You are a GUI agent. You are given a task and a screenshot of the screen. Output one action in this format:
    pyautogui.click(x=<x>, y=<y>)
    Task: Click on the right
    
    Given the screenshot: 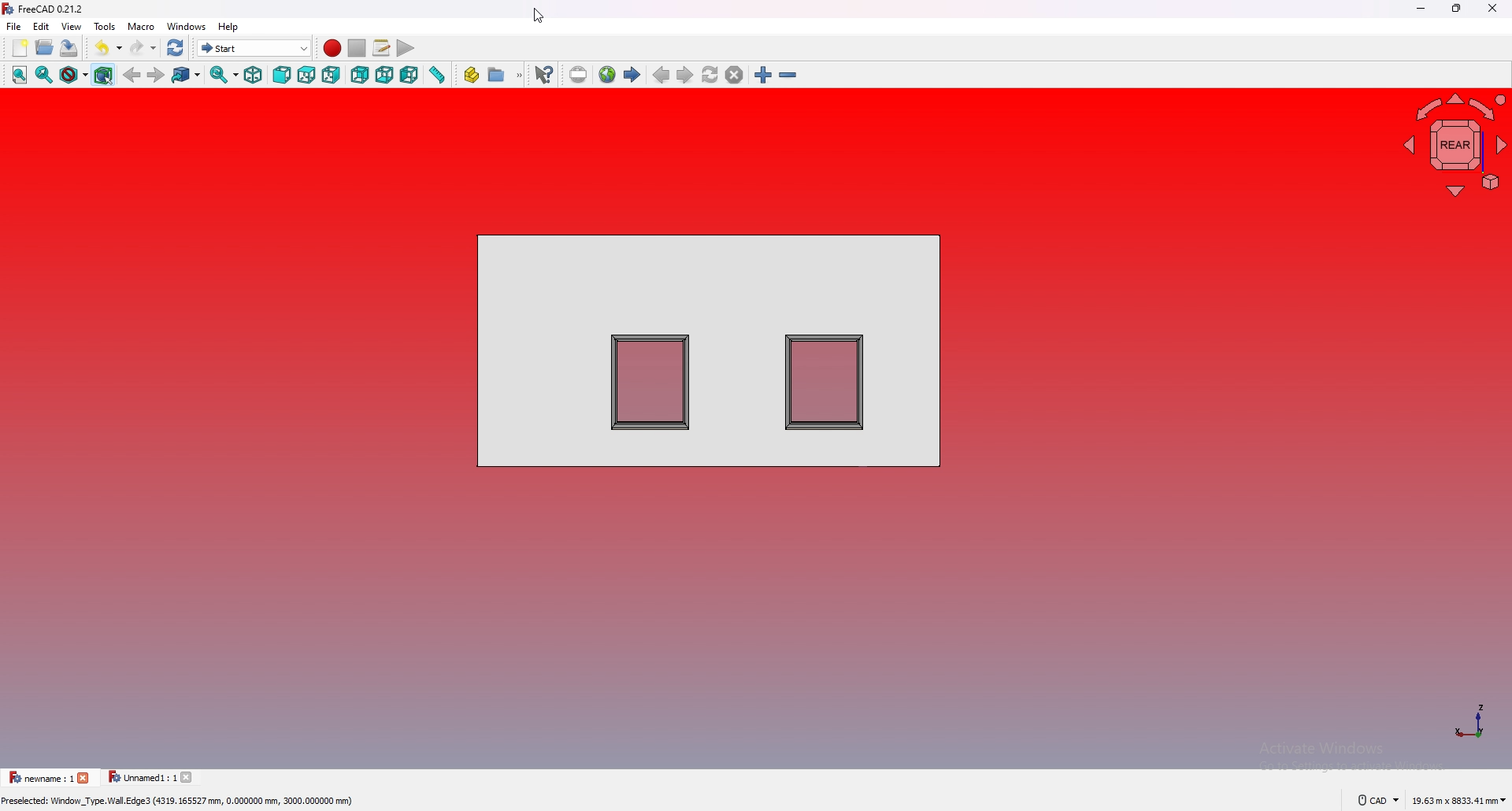 What is the action you would take?
    pyautogui.click(x=332, y=76)
    